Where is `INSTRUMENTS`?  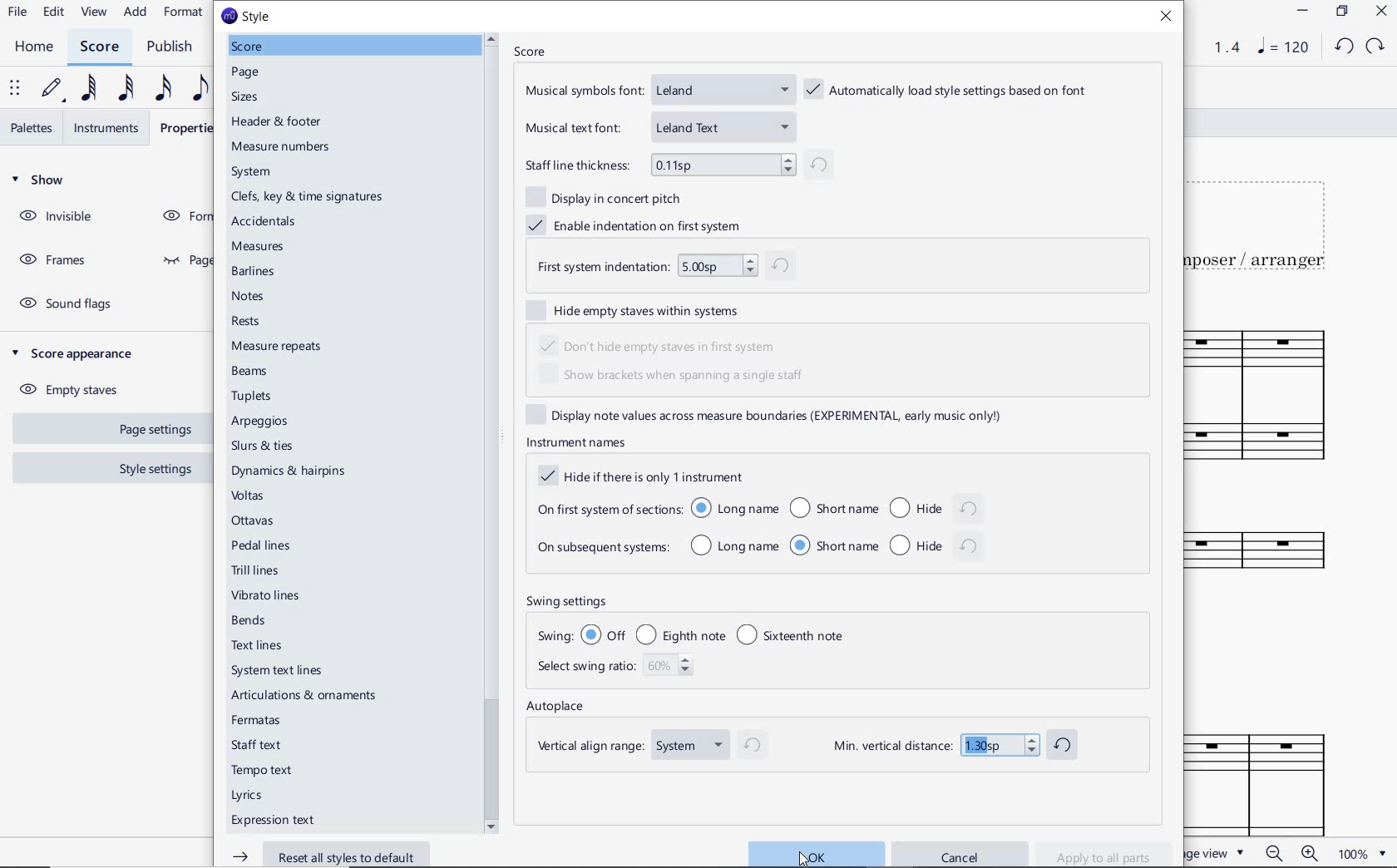
INSTRUMENTS is located at coordinates (111, 126).